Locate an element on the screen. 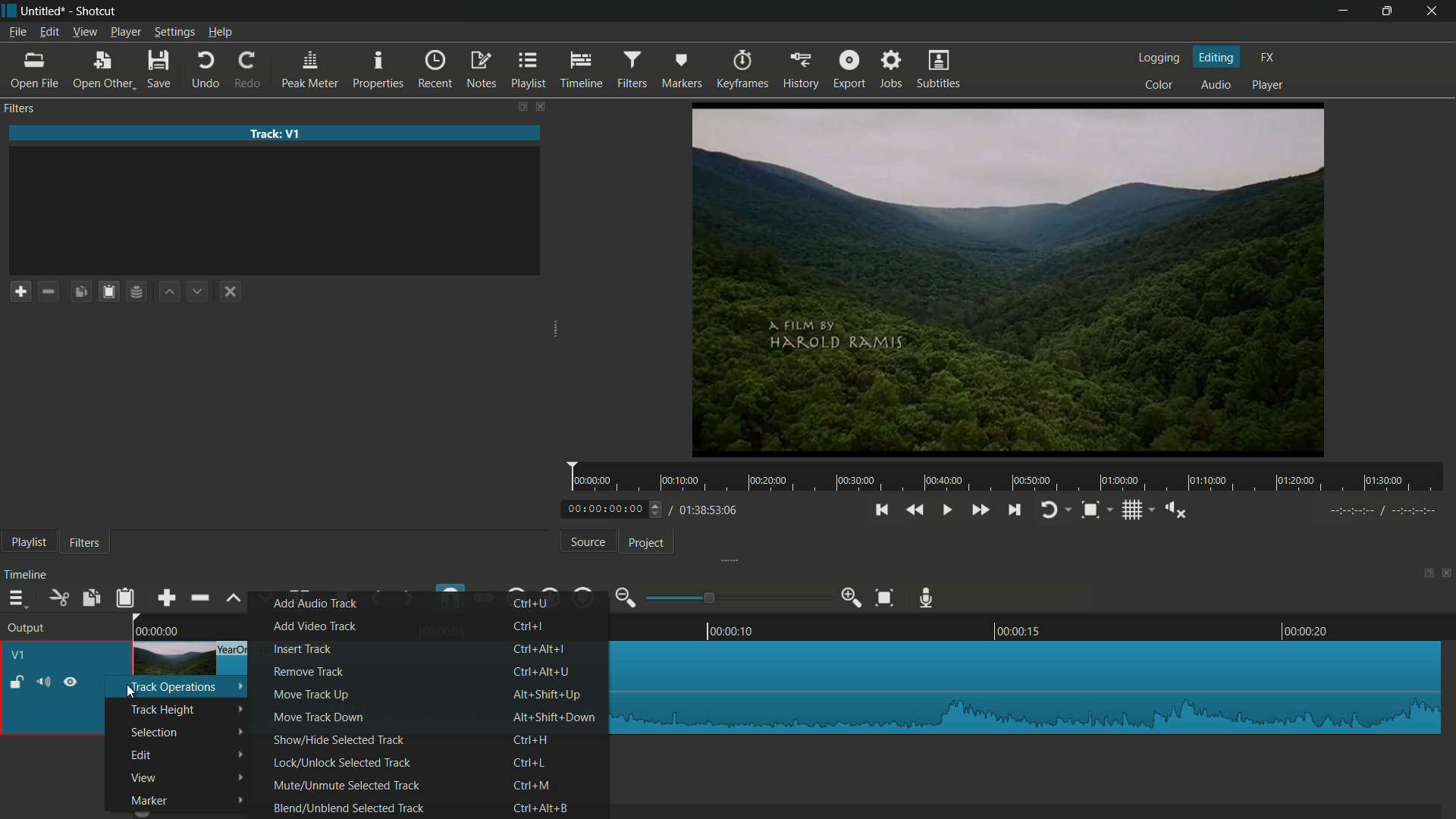  selection is located at coordinates (153, 733).